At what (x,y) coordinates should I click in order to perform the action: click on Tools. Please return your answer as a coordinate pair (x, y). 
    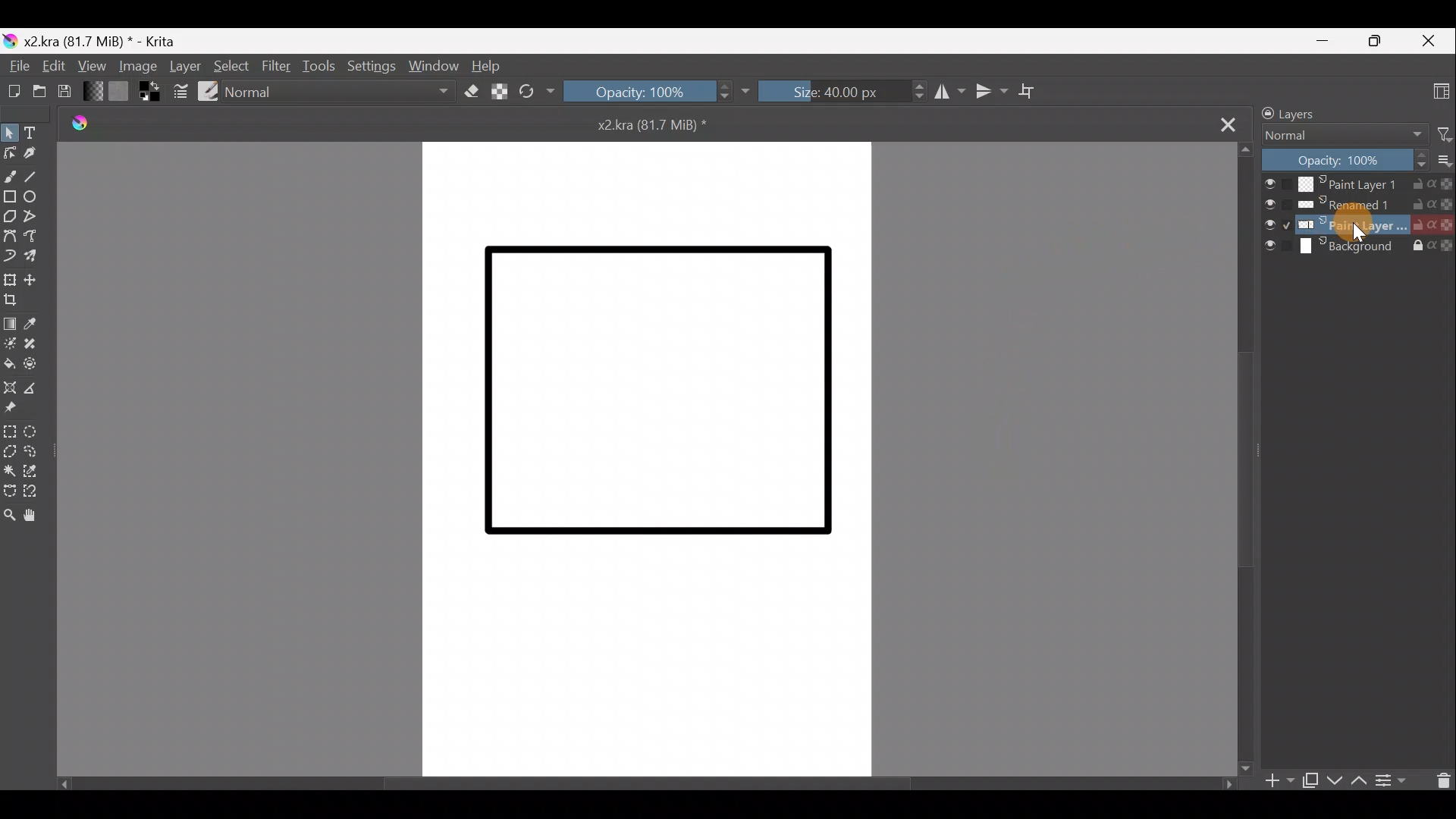
    Looking at the image, I should click on (320, 67).